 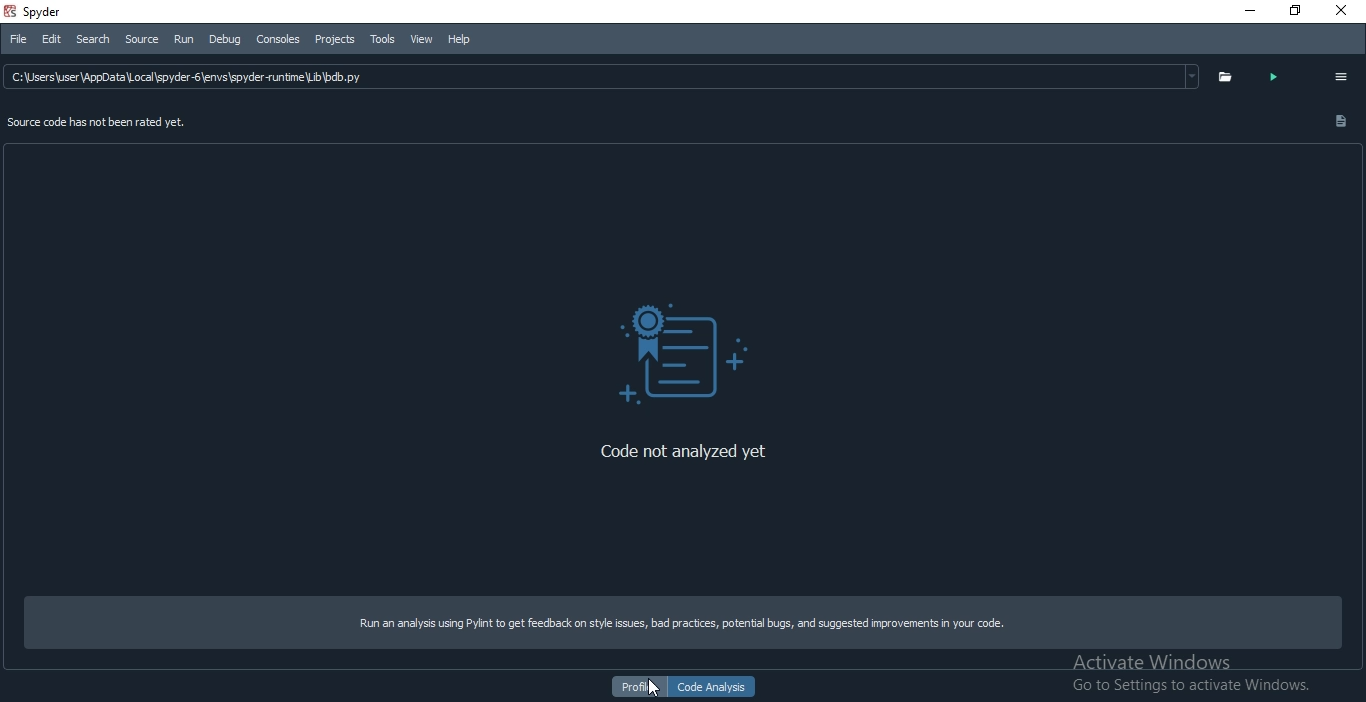 I want to click on close, so click(x=1349, y=14).